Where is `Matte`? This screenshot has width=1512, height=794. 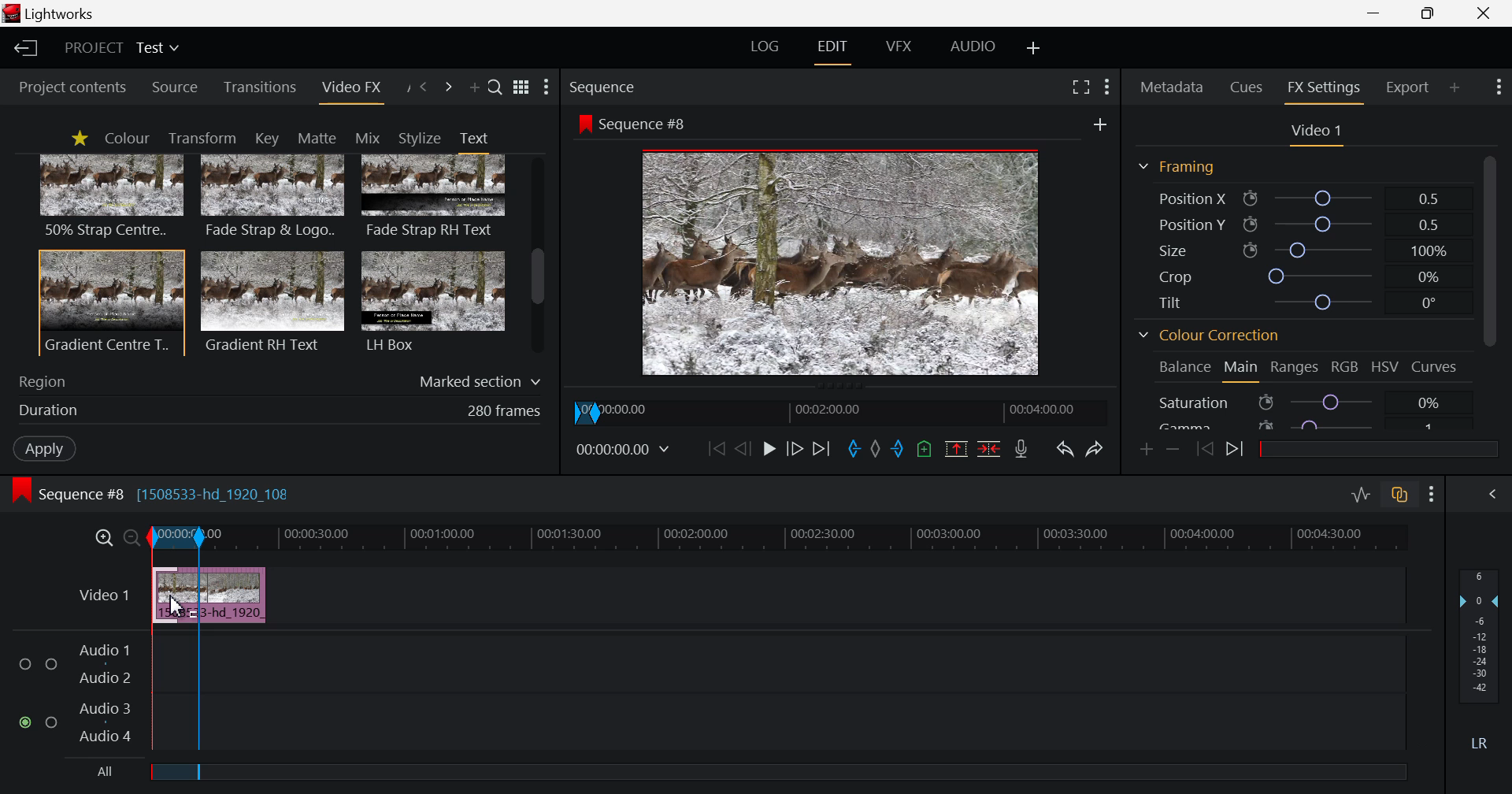
Matte is located at coordinates (316, 137).